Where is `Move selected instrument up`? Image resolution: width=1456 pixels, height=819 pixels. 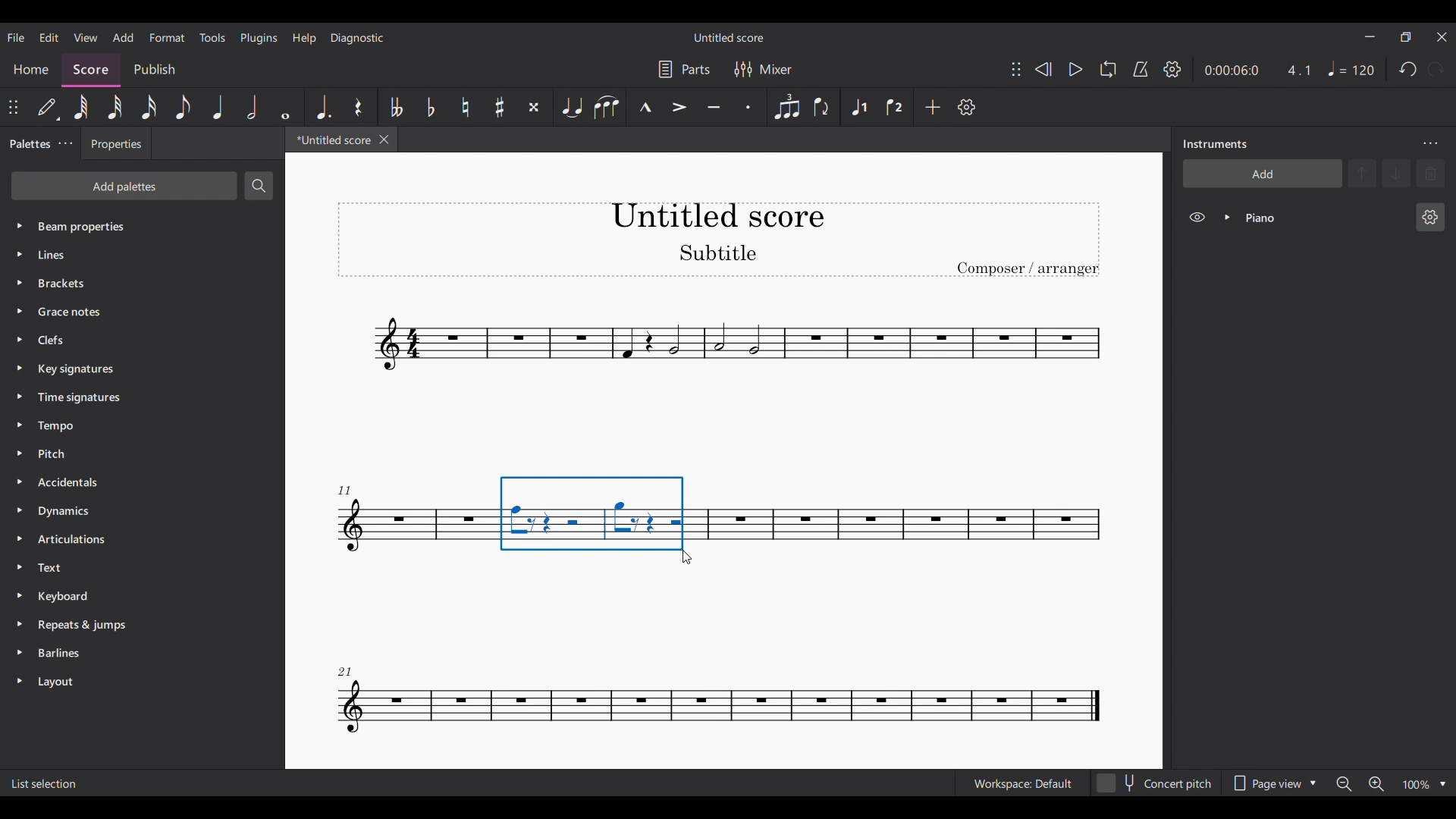
Move selected instrument up is located at coordinates (1364, 172).